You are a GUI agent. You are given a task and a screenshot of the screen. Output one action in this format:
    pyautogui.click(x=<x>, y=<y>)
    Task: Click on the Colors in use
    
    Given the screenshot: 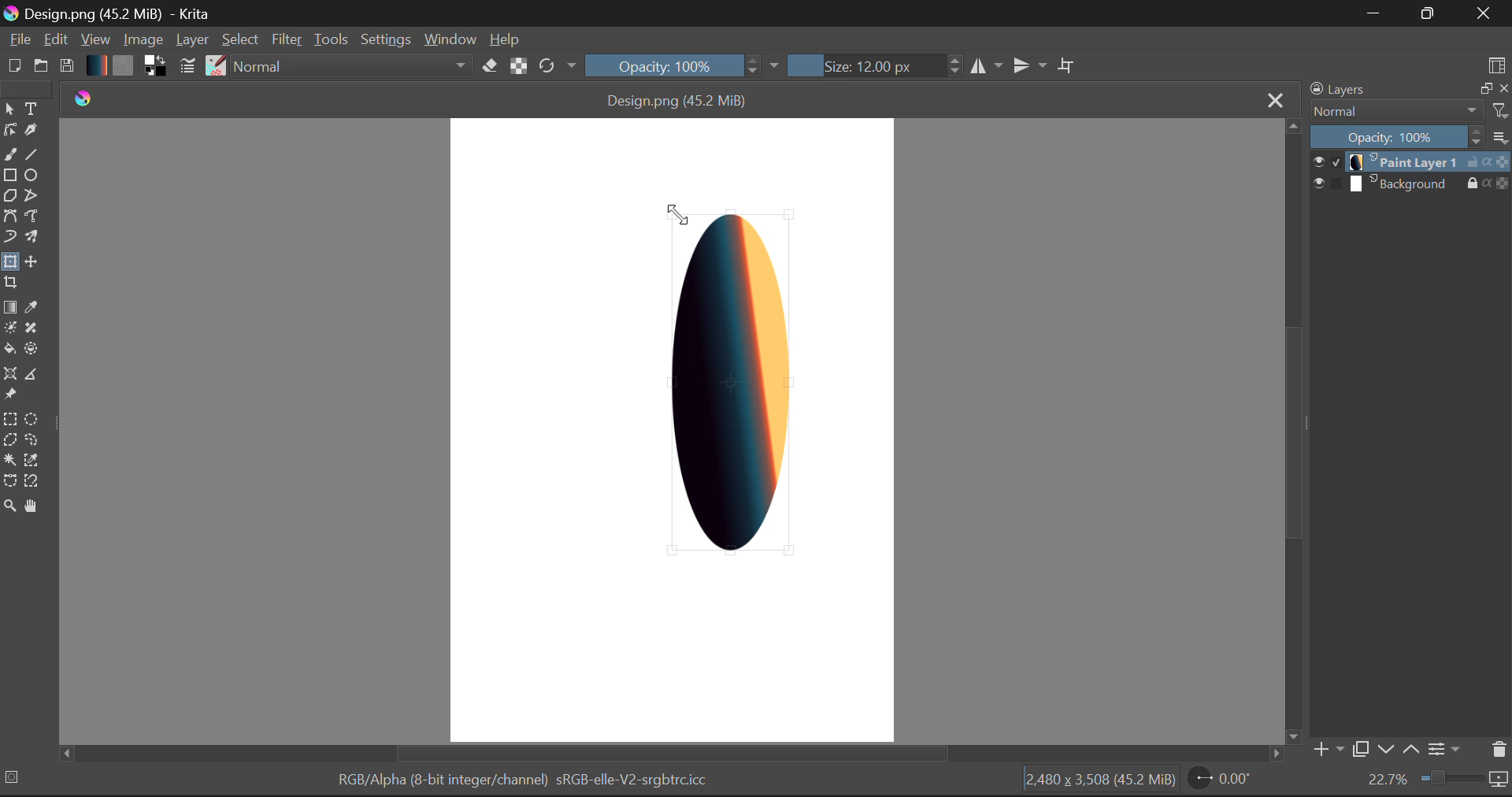 What is the action you would take?
    pyautogui.click(x=155, y=67)
    